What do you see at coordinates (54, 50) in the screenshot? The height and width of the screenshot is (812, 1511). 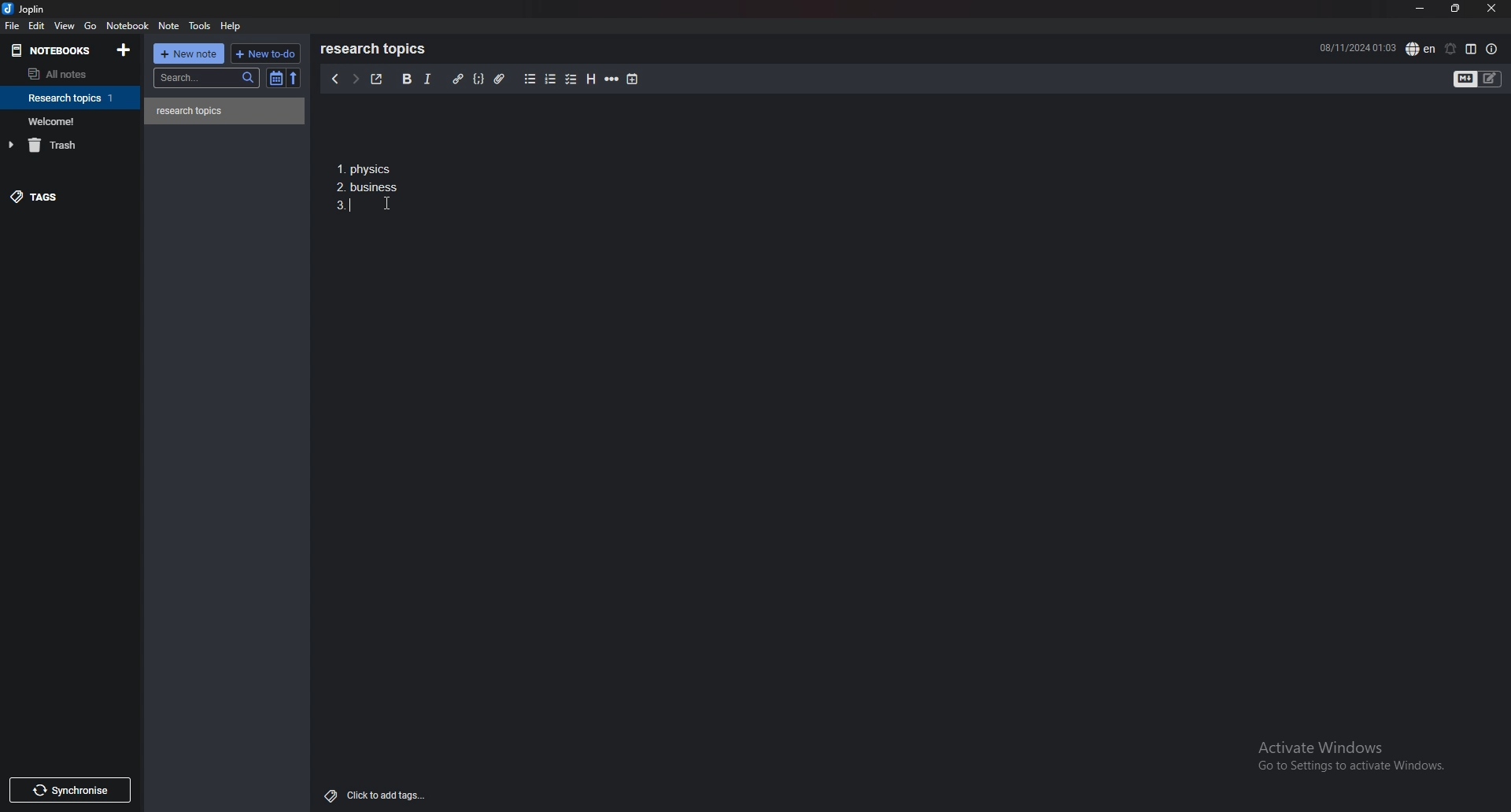 I see `notebooks` at bounding box center [54, 50].